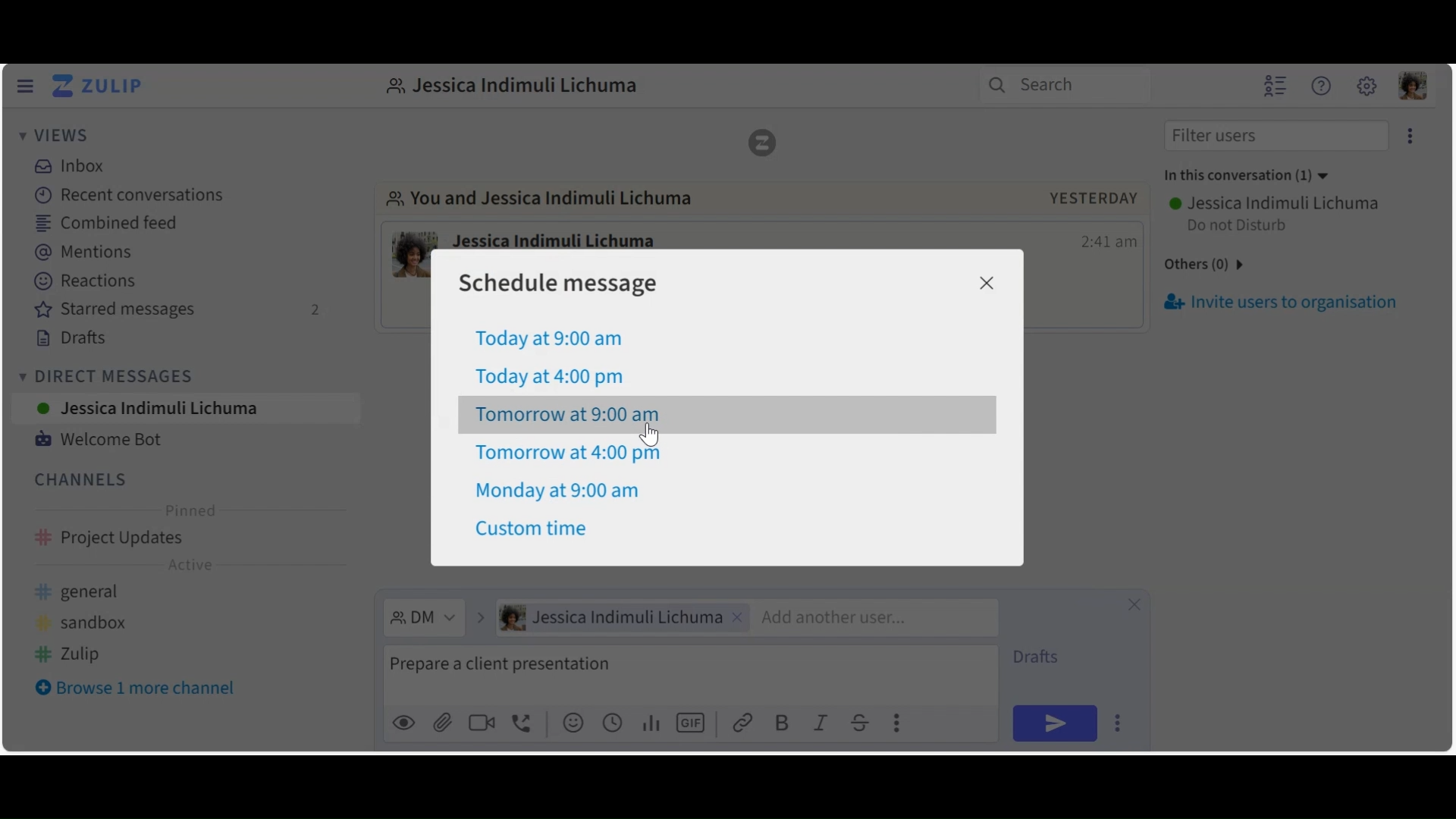  Describe the element at coordinates (181, 375) in the screenshot. I see `Direct Messages` at that location.